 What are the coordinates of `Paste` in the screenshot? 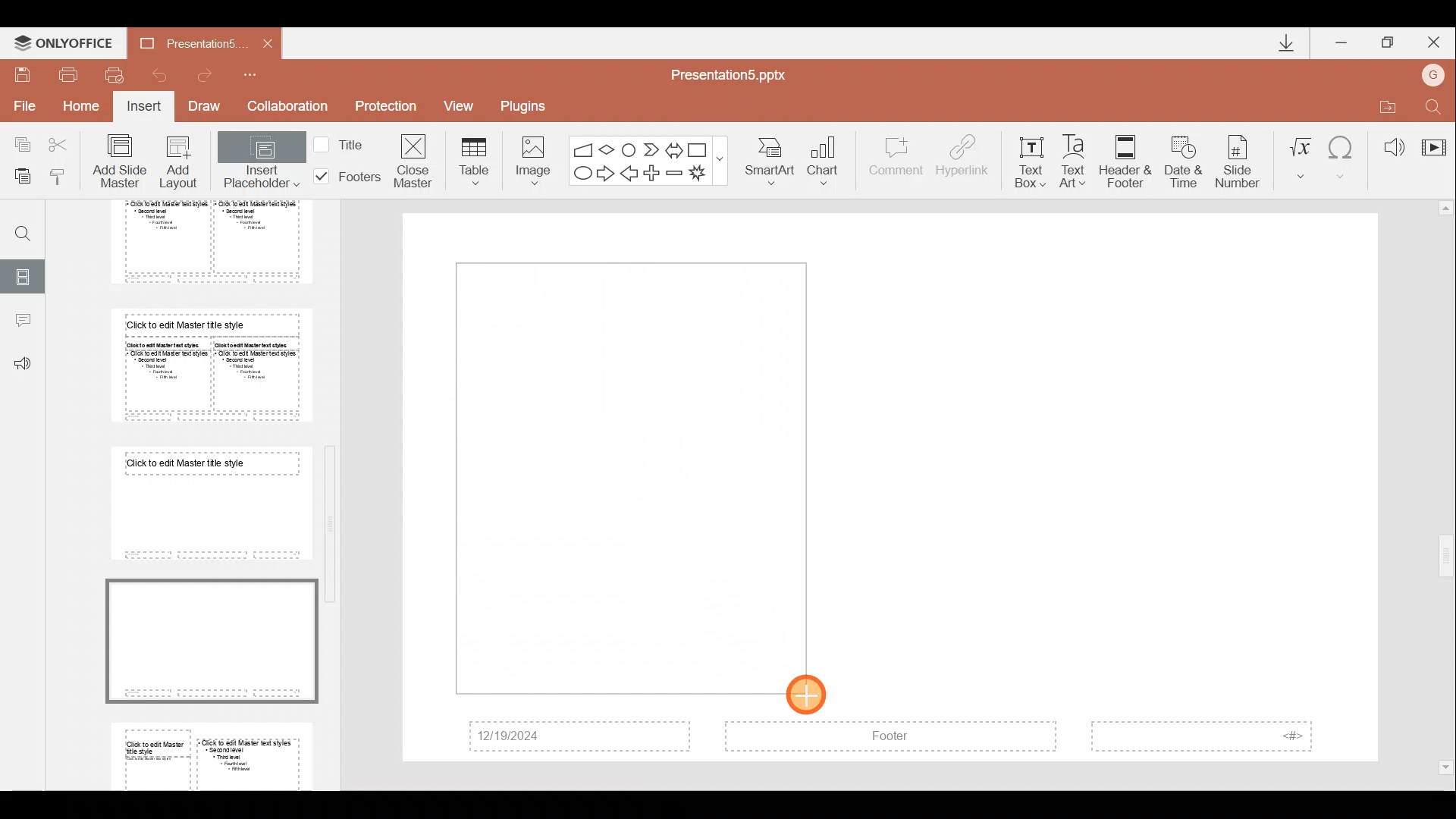 It's located at (22, 178).